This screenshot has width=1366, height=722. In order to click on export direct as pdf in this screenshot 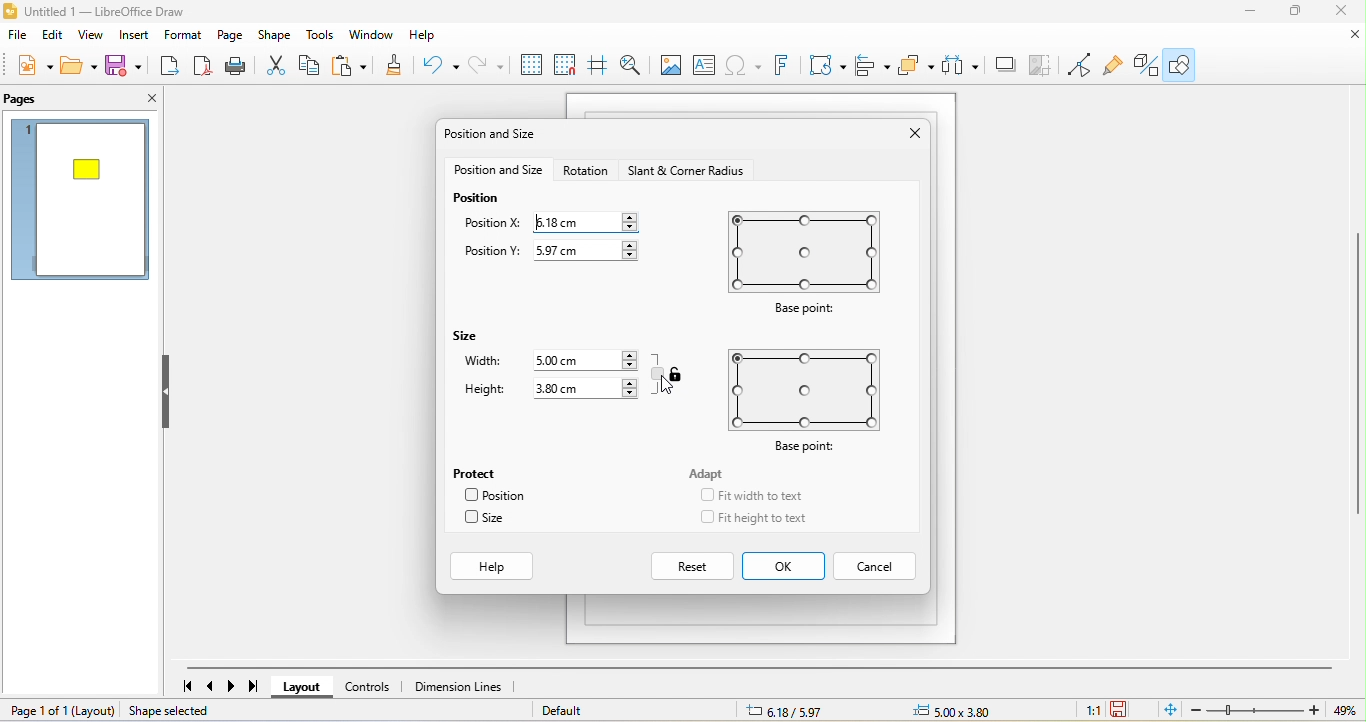, I will do `click(202, 68)`.